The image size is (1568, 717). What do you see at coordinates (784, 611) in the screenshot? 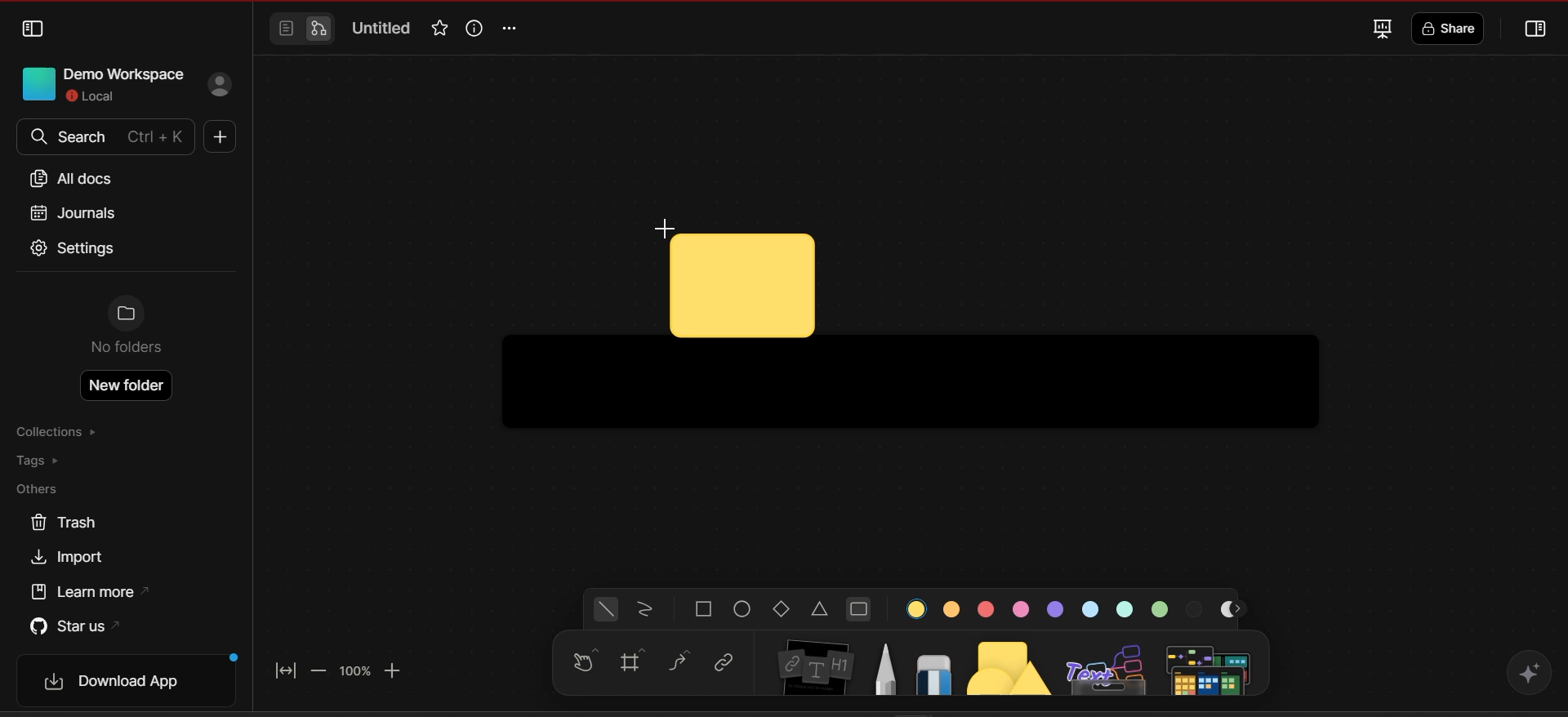
I see `diamond` at bounding box center [784, 611].